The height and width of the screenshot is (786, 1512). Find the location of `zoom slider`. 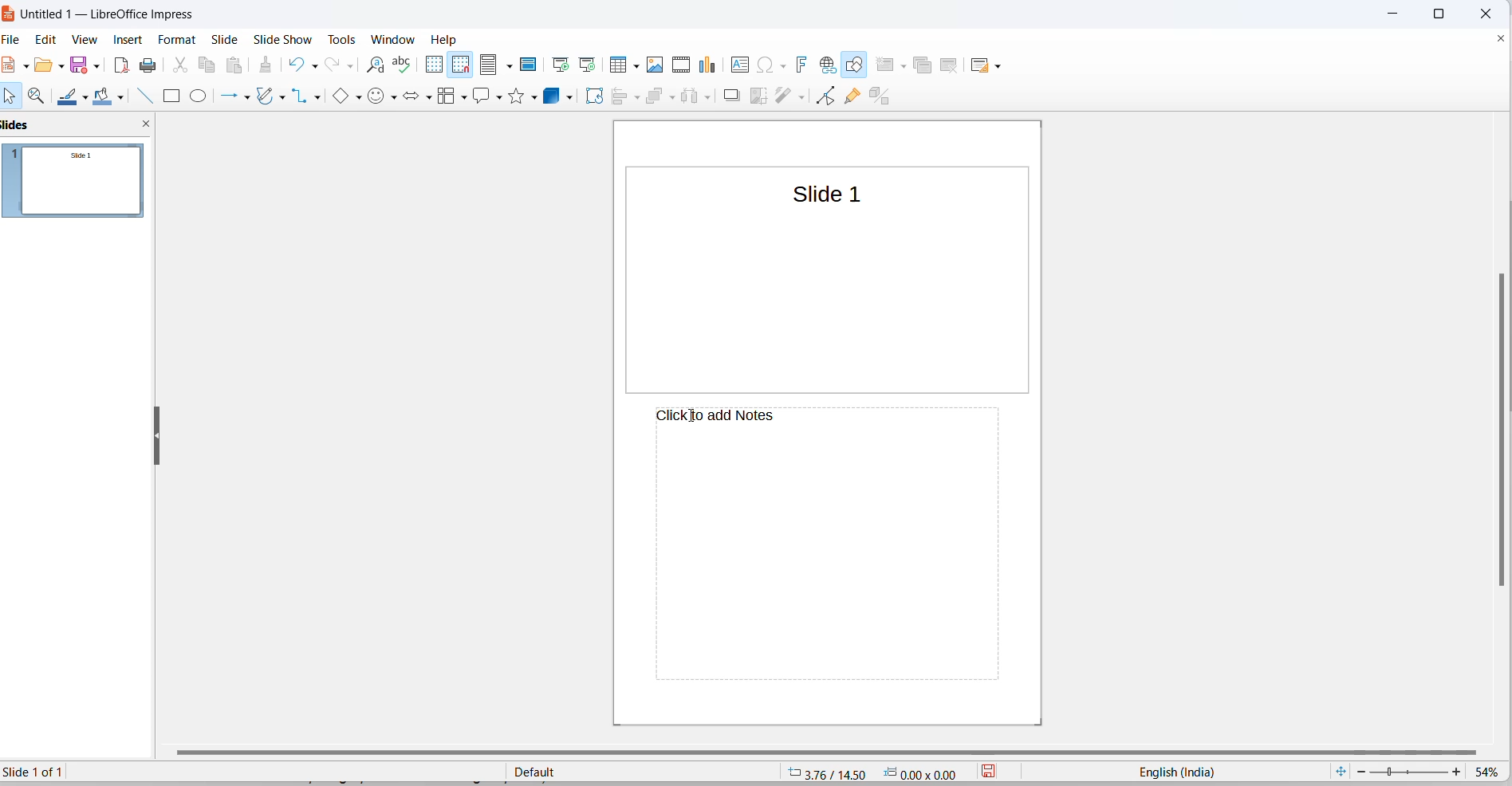

zoom slider is located at coordinates (1409, 771).